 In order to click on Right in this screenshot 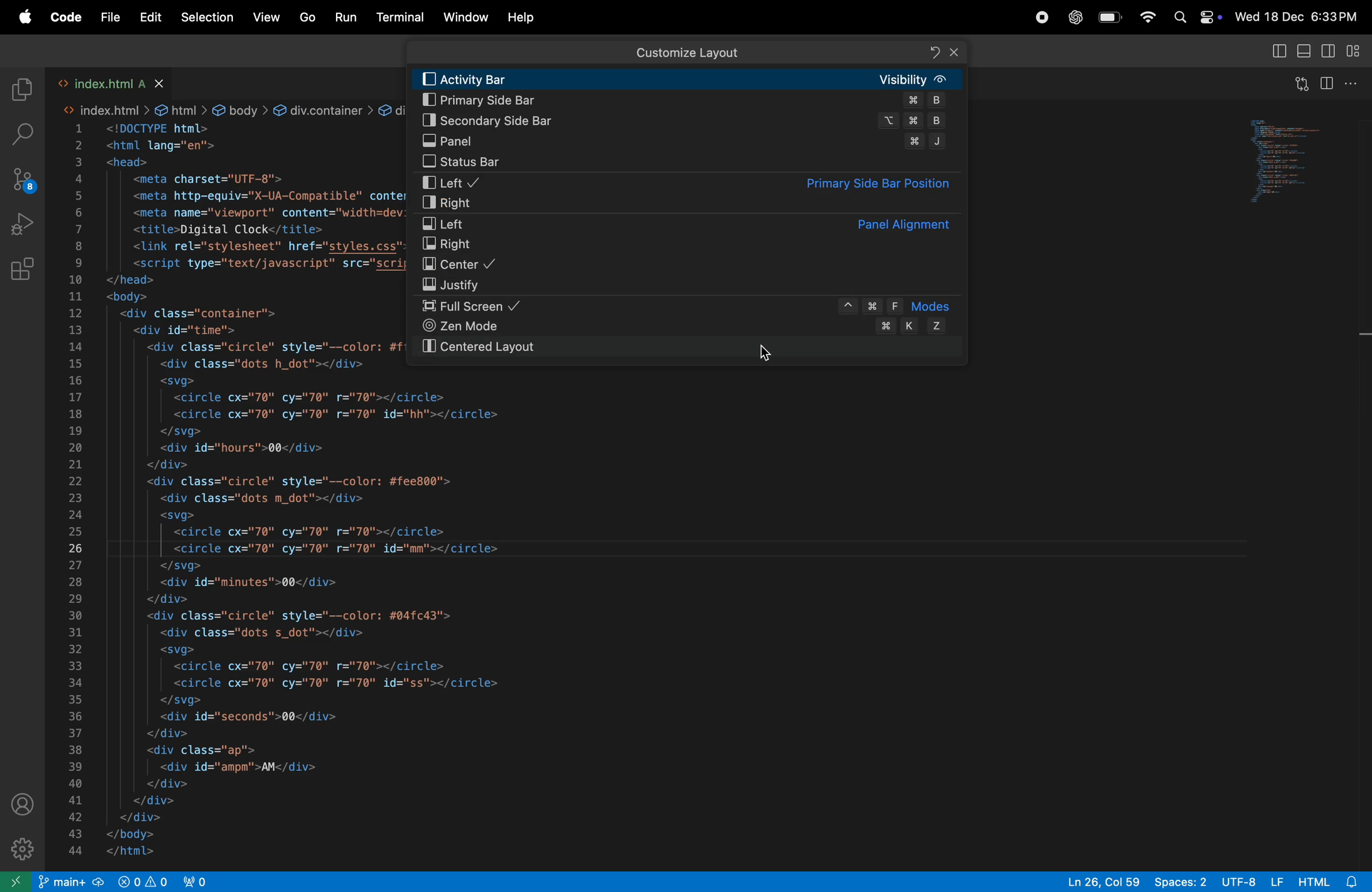, I will do `click(689, 244)`.